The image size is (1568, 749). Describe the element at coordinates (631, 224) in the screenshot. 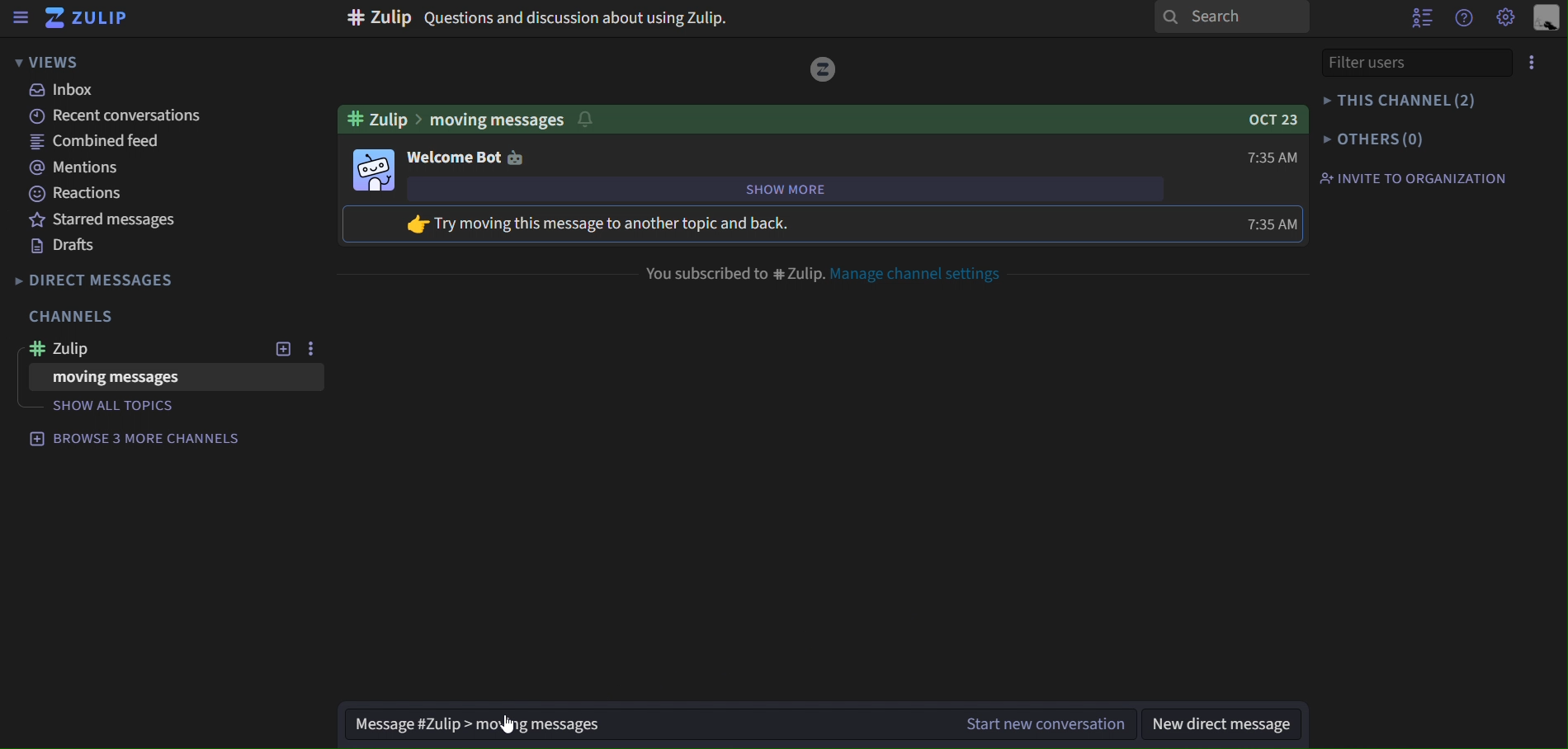

I see `try moving message to another topic and back` at that location.